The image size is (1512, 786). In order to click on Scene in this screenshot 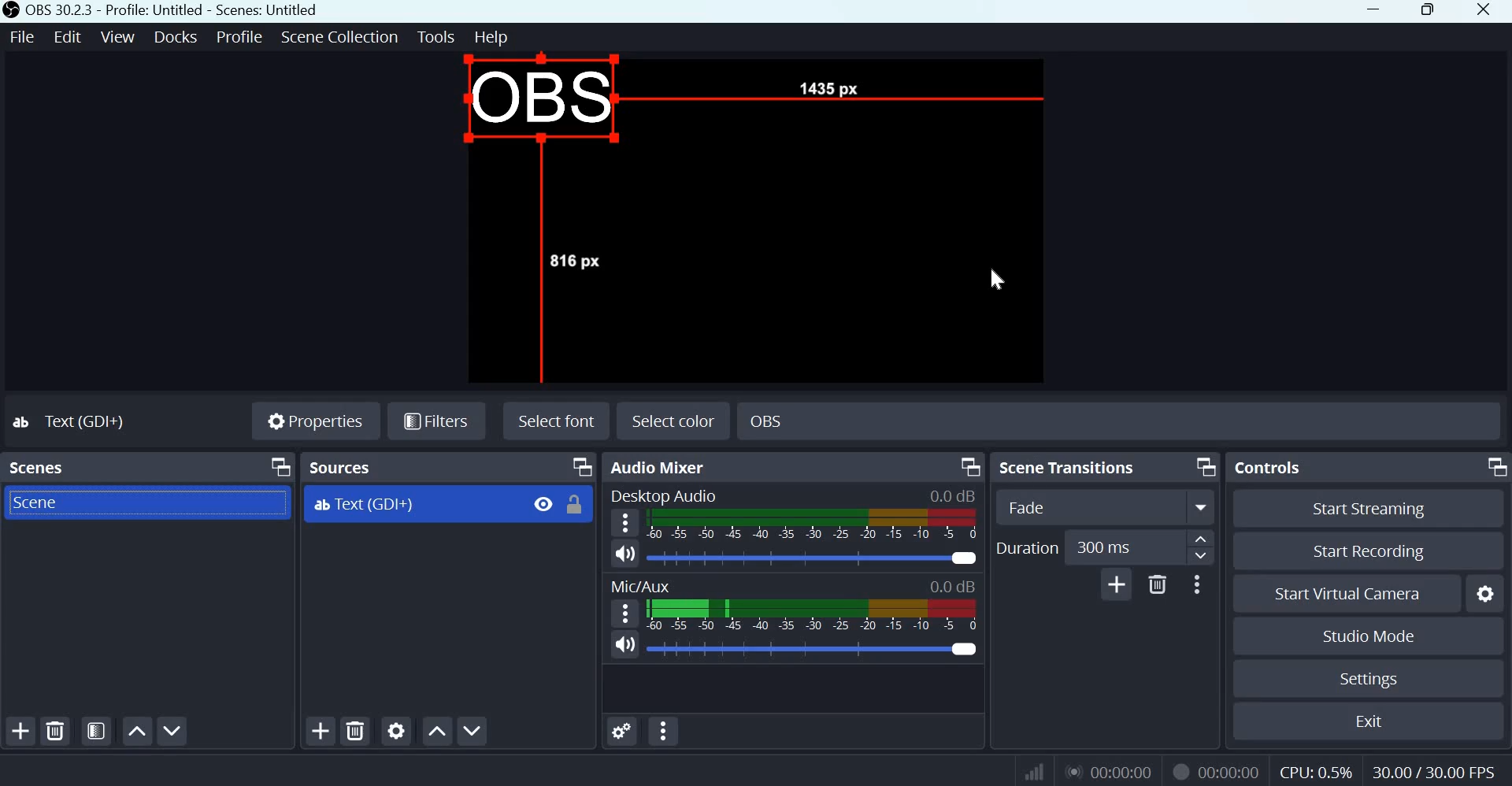, I will do `click(51, 502)`.